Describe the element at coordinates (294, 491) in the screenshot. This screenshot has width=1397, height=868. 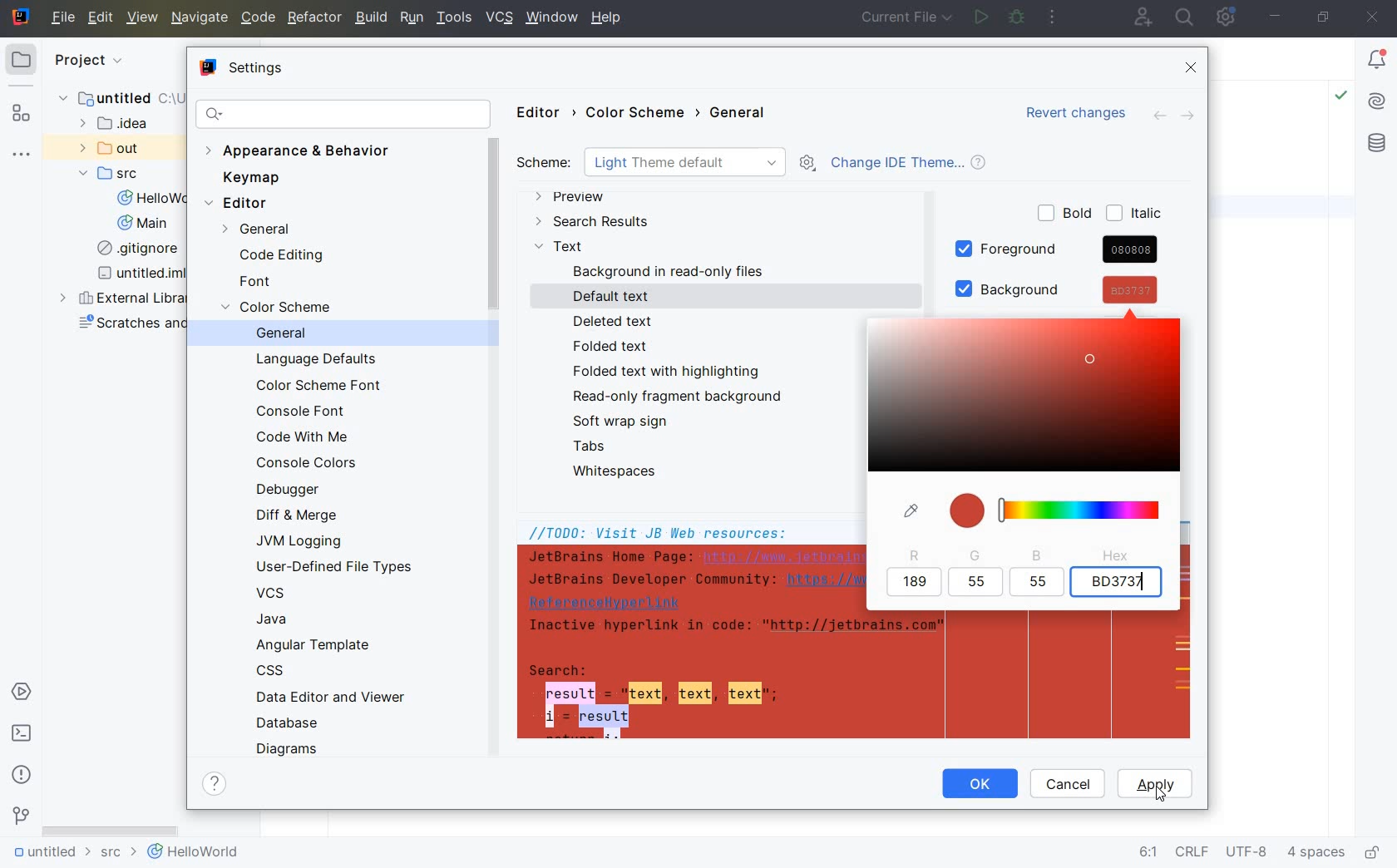
I see `DEBUGGER` at that location.